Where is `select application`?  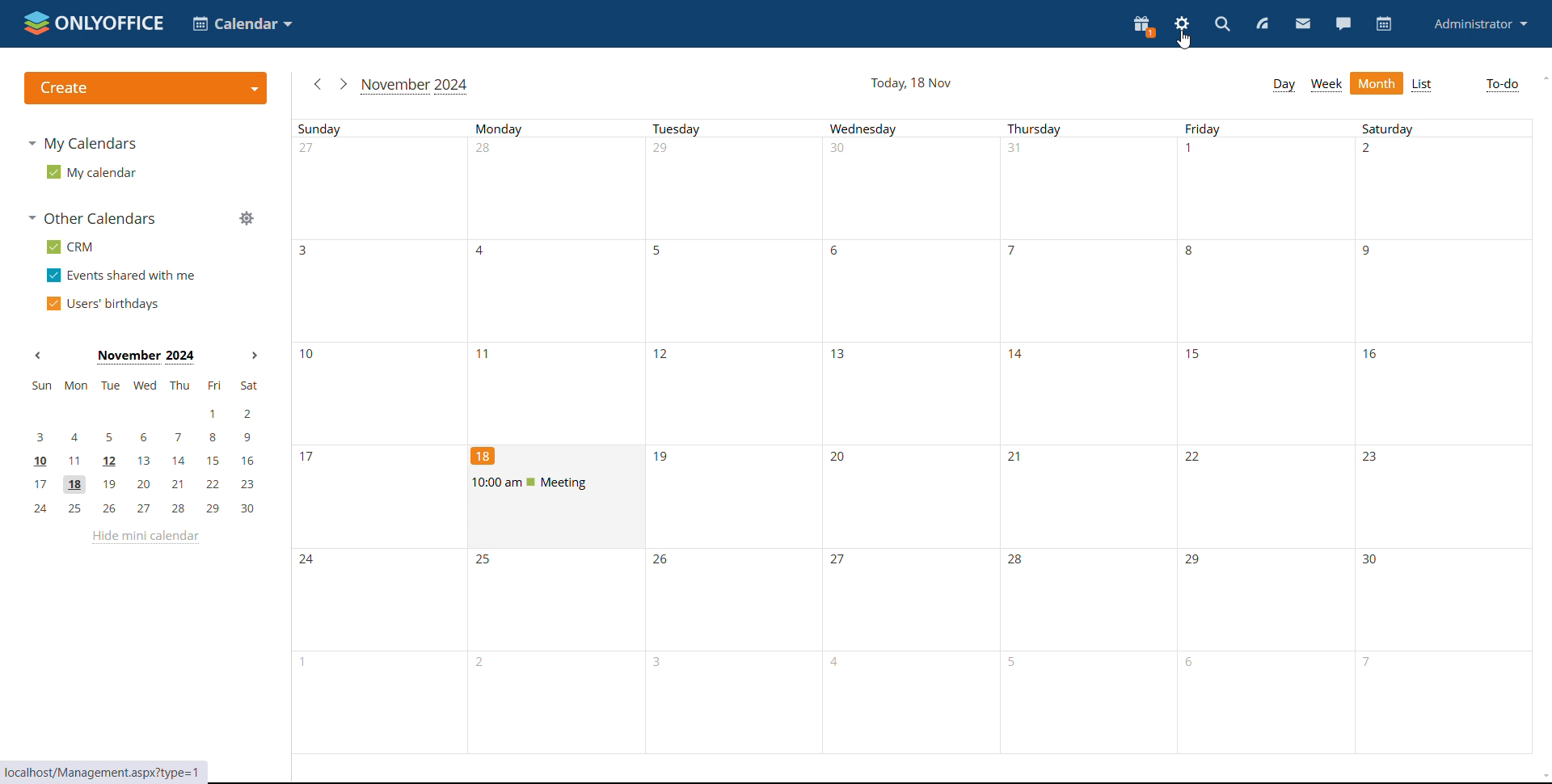
select application is located at coordinates (242, 24).